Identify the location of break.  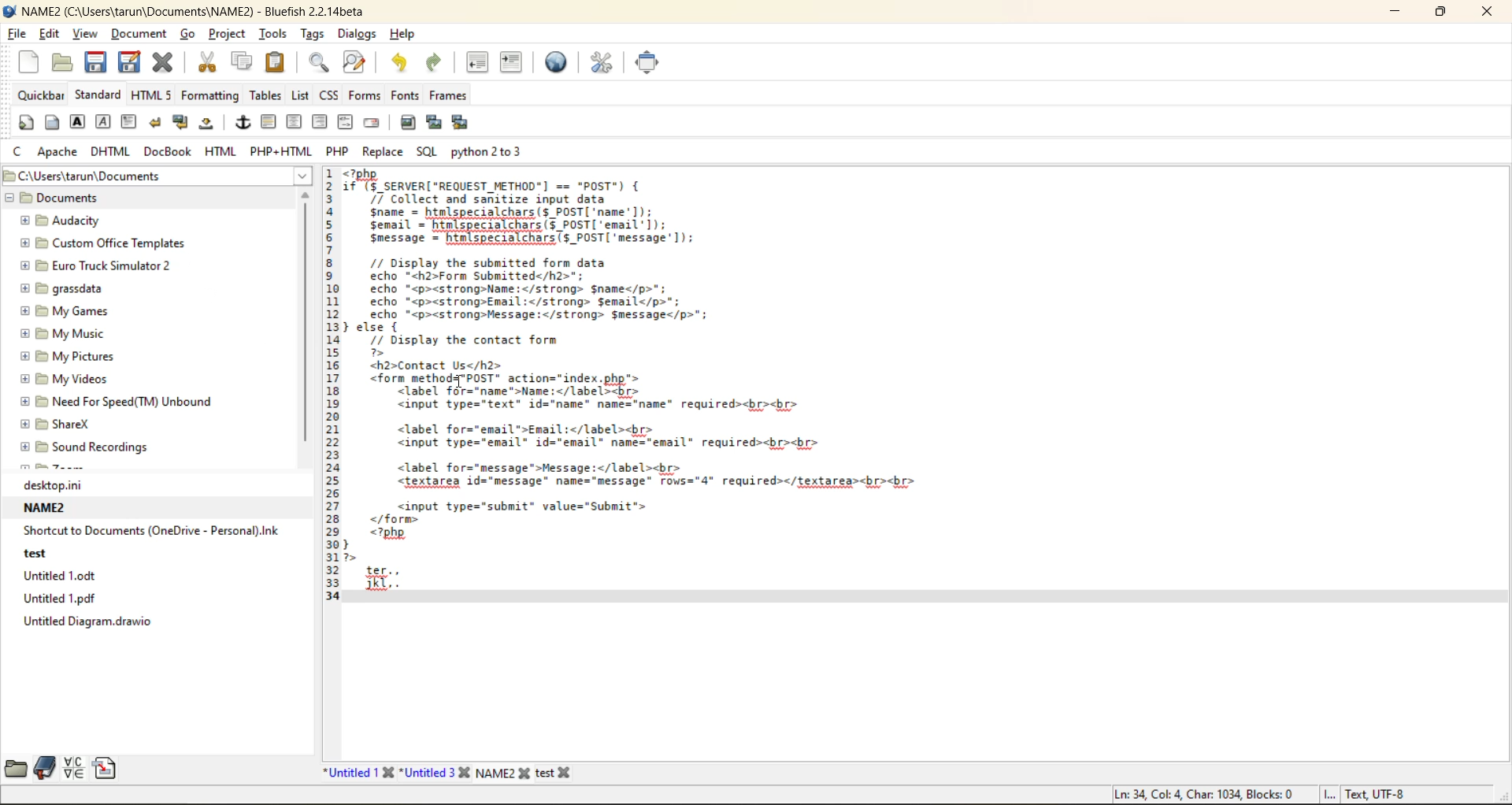
(154, 121).